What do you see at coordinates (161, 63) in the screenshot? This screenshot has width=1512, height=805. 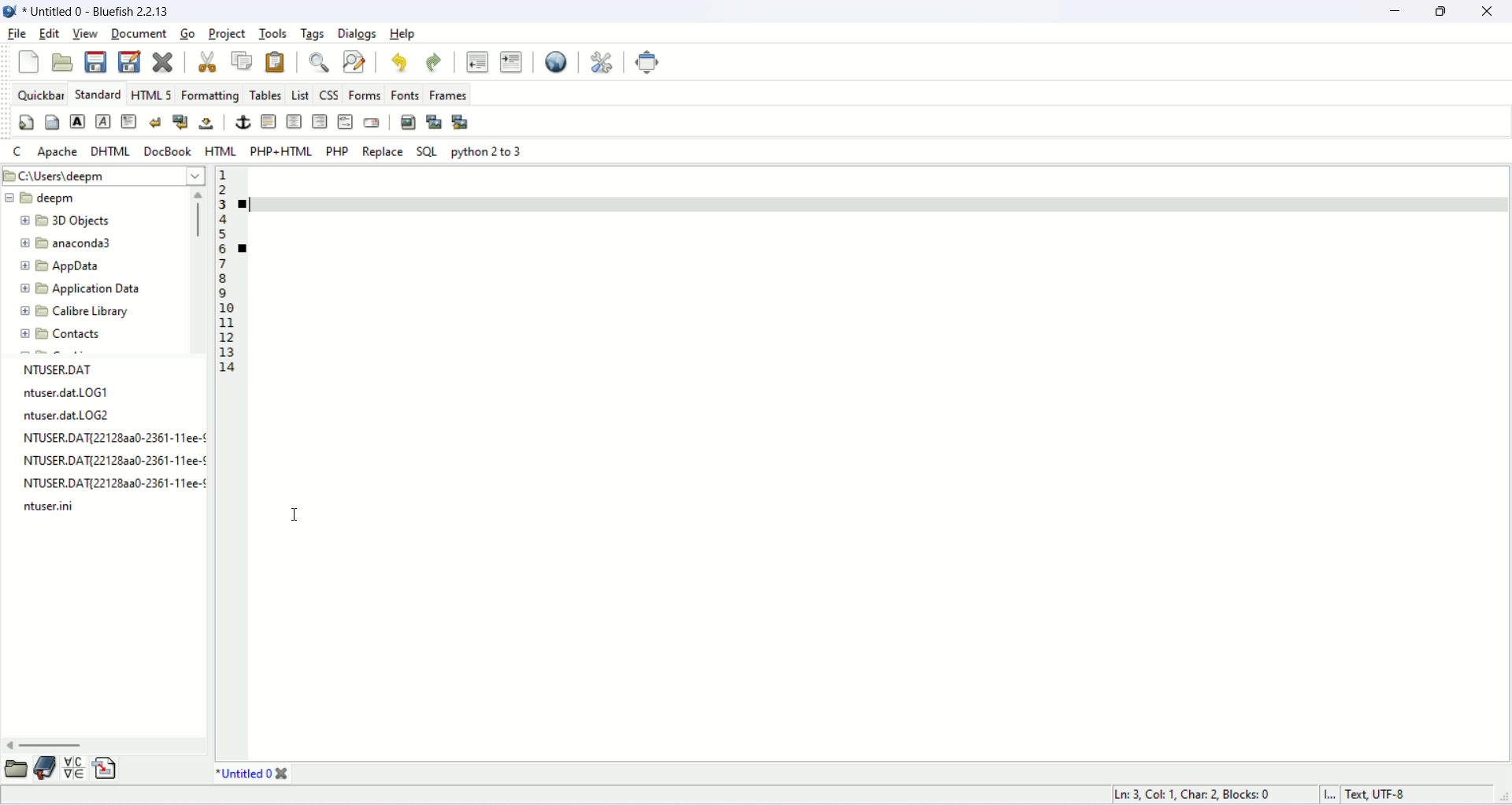 I see `close` at bounding box center [161, 63].